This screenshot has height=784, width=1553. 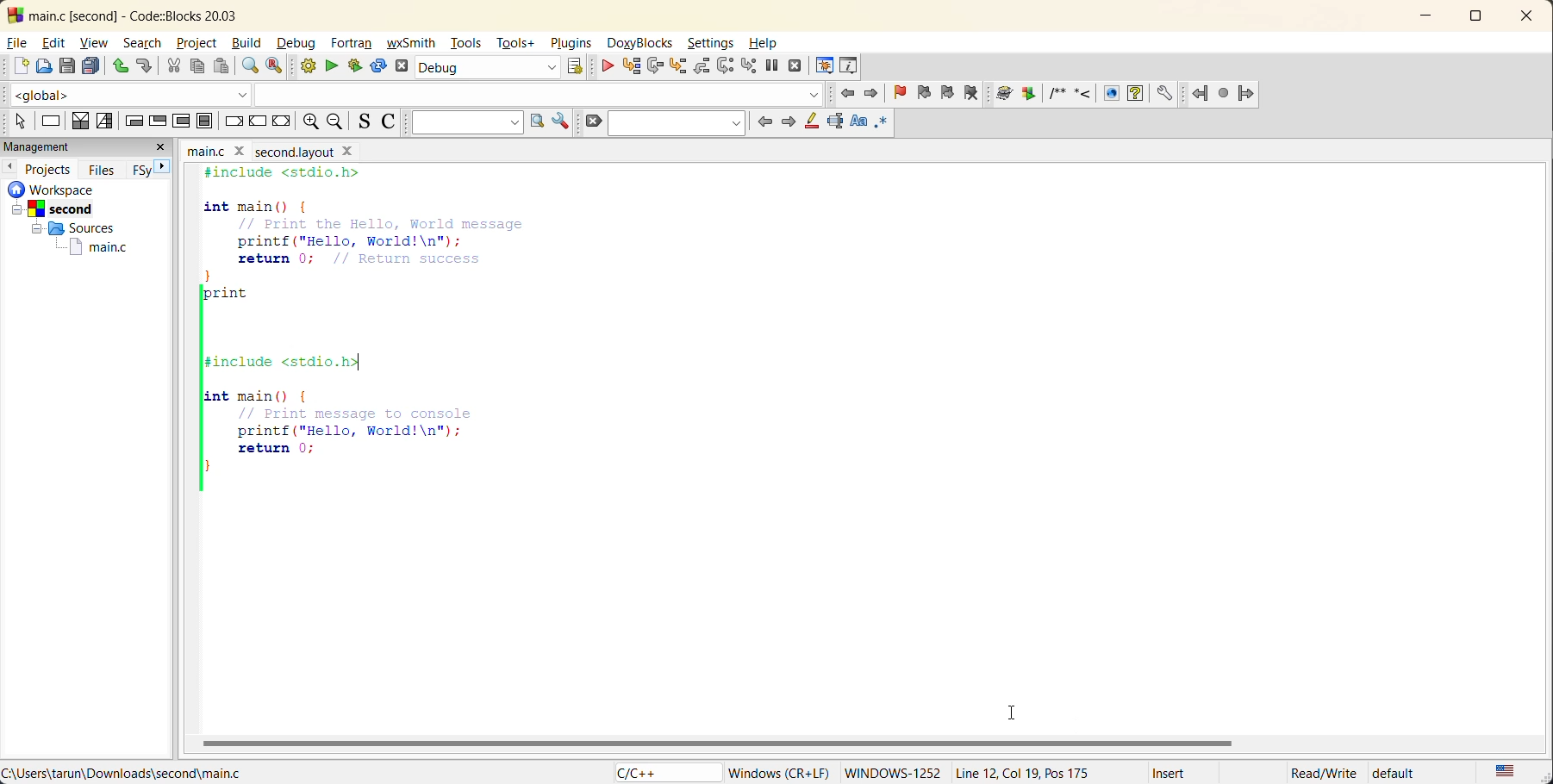 What do you see at coordinates (338, 121) in the screenshot?
I see `zoom out` at bounding box center [338, 121].